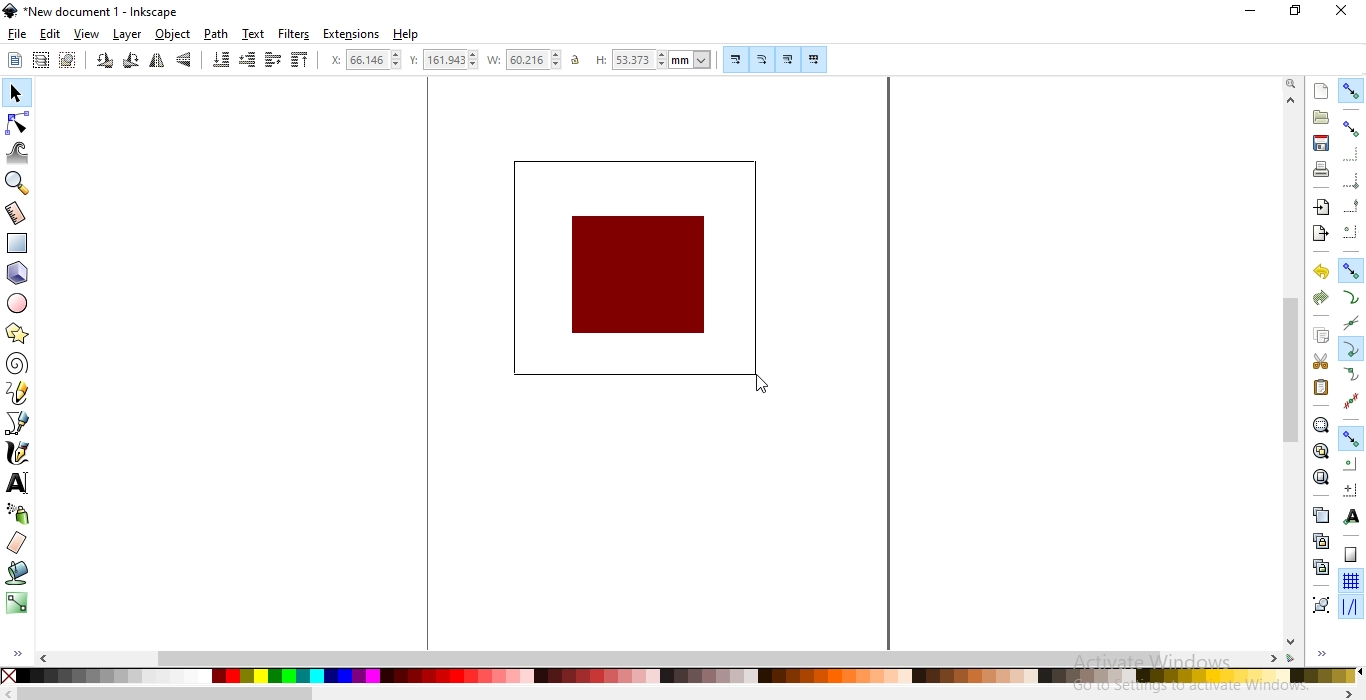  Describe the element at coordinates (333, 60) in the screenshot. I see `horizontal coordinate of selection` at that location.